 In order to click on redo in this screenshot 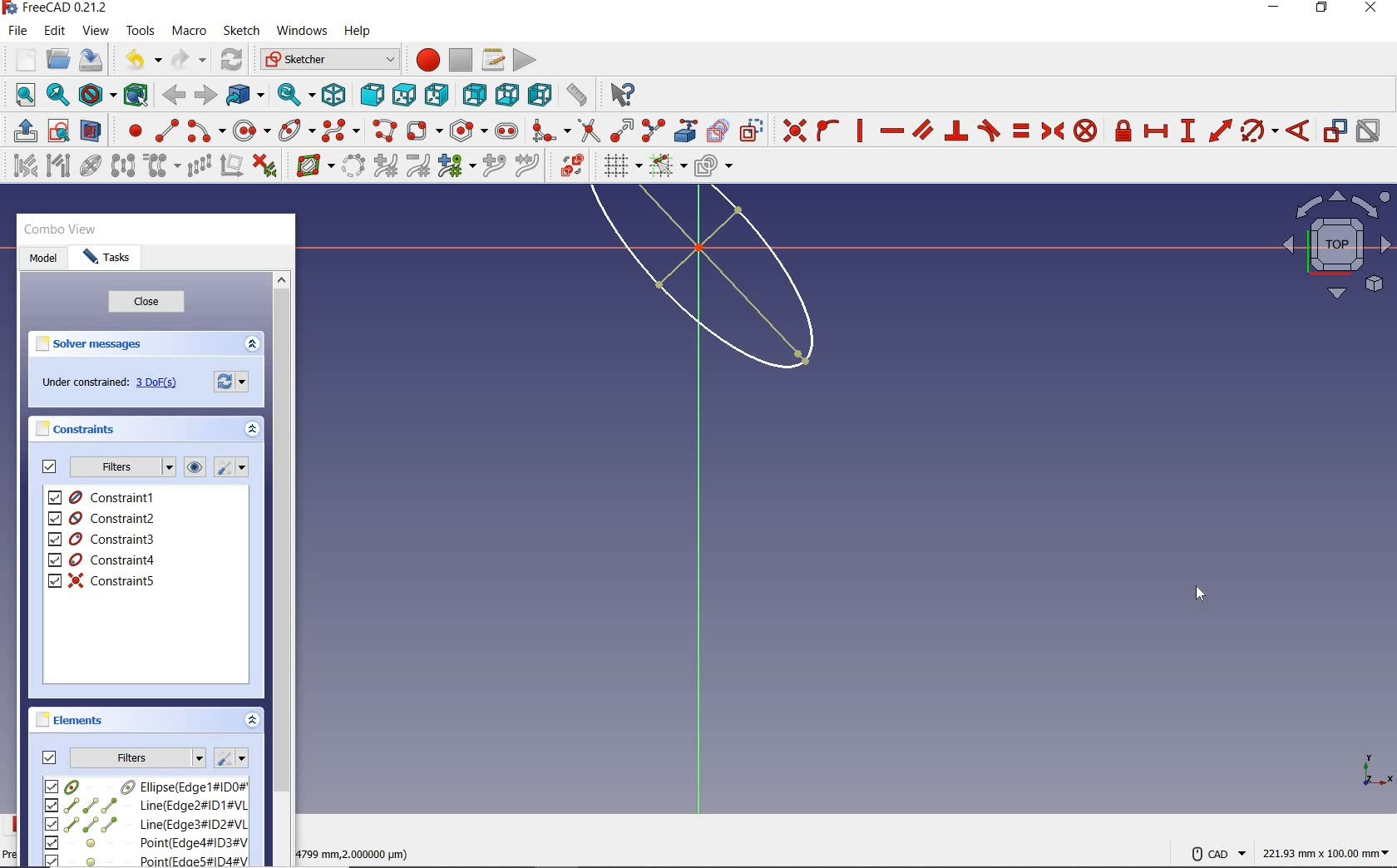, I will do `click(189, 59)`.